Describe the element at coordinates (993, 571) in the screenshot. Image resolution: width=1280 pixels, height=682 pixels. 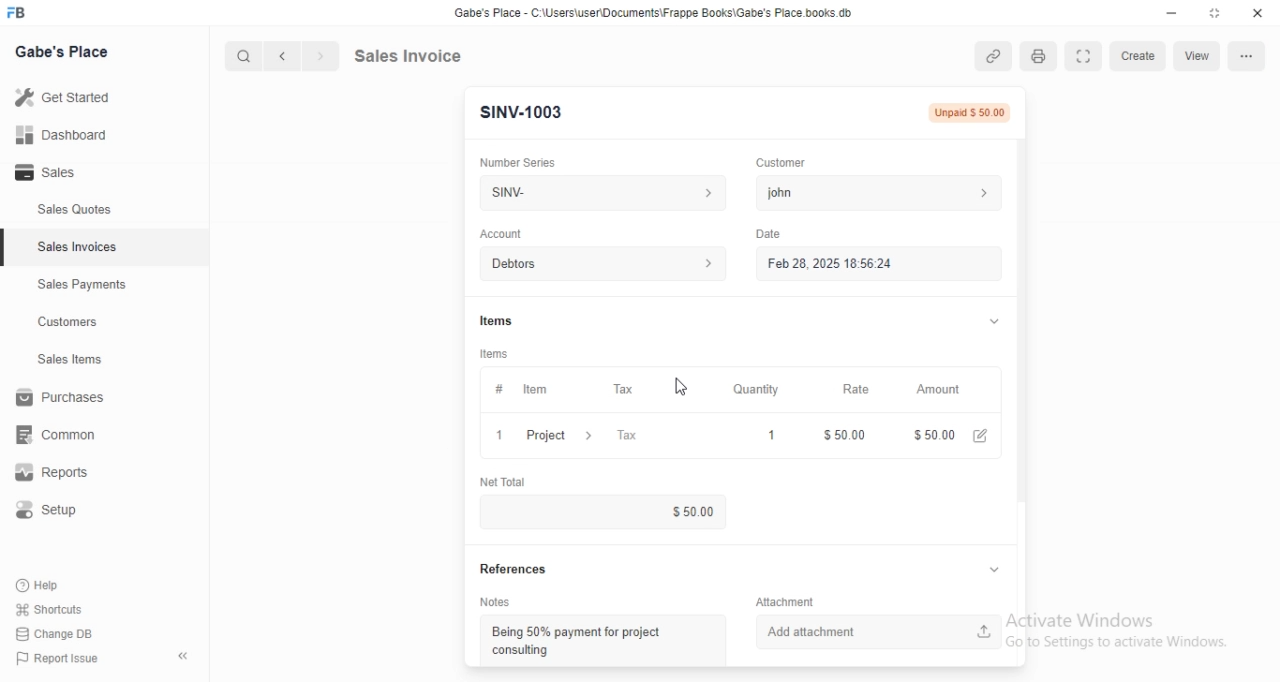
I see `collapse` at that location.